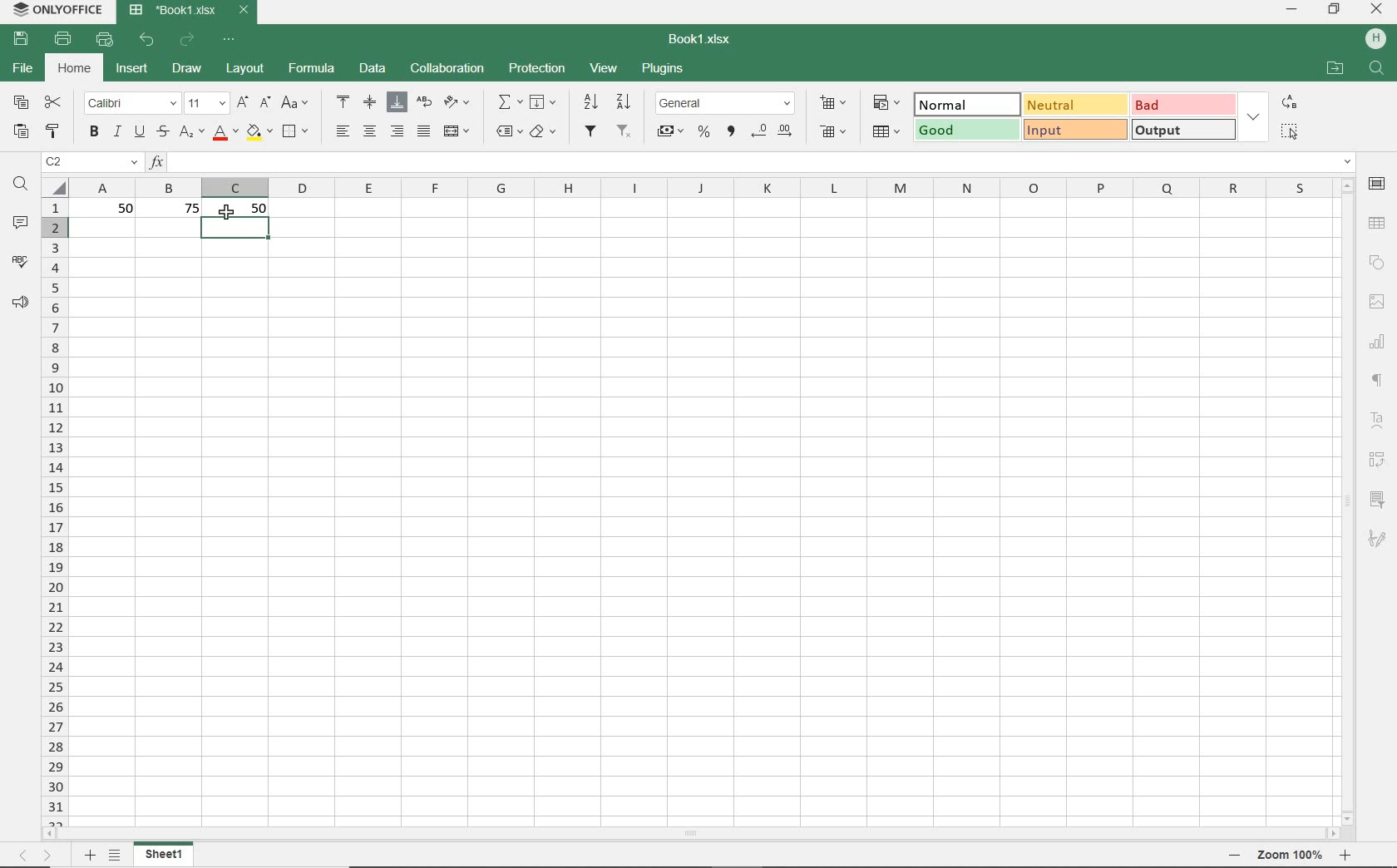 Image resolution: width=1397 pixels, height=868 pixels. I want to click on image, so click(1375, 299).